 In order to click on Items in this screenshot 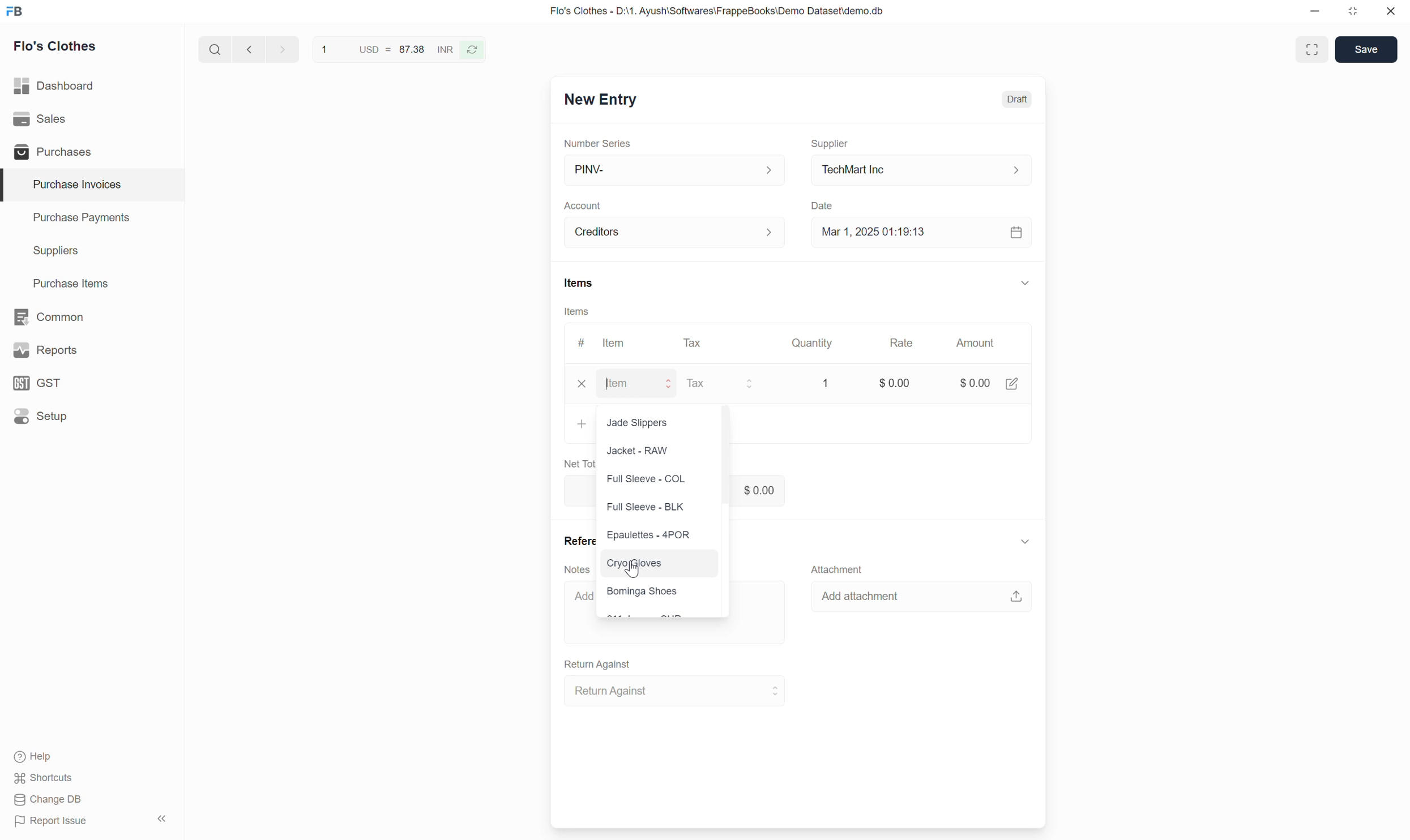, I will do `click(576, 311)`.